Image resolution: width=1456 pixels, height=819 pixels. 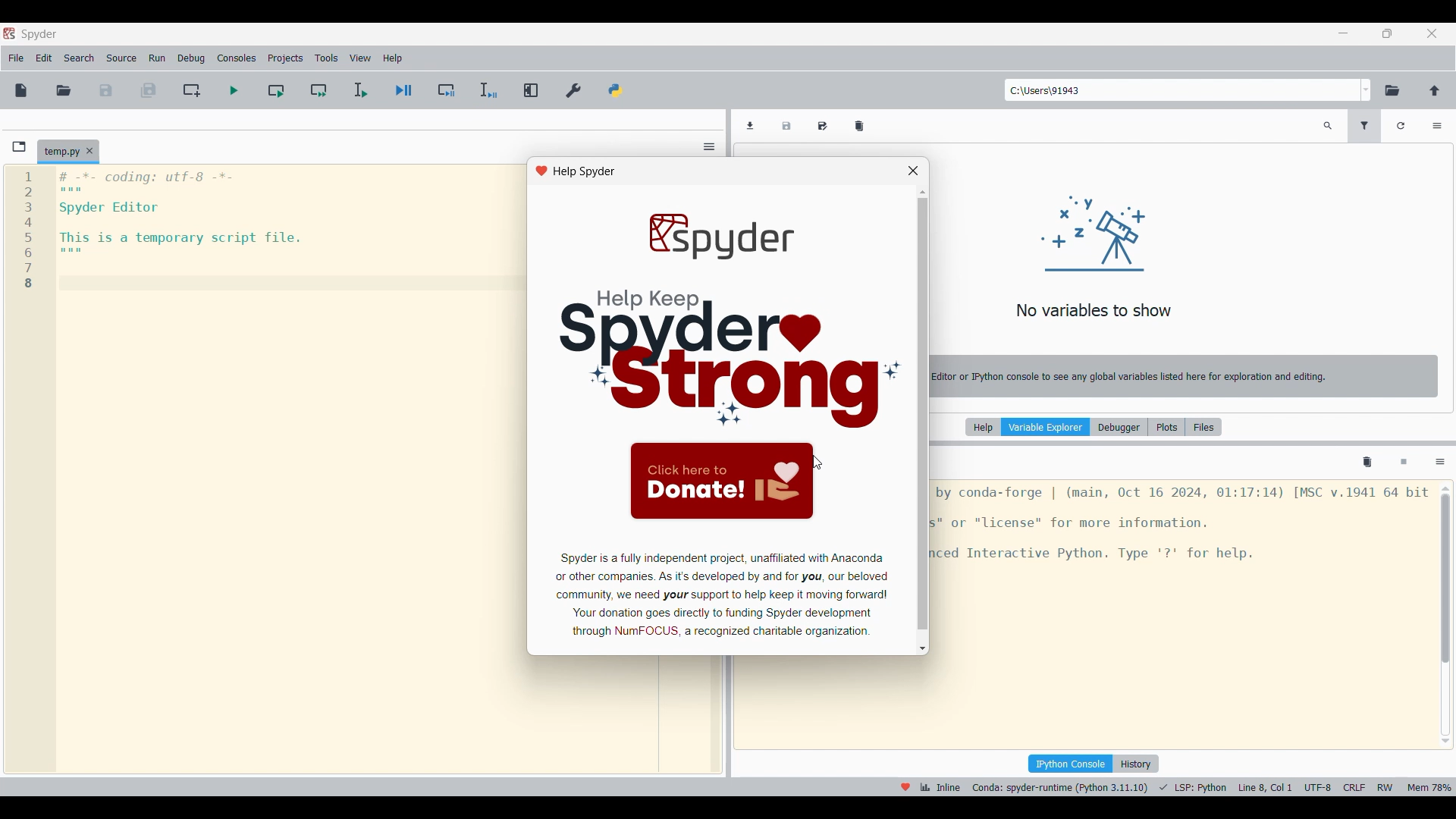 What do you see at coordinates (1328, 126) in the screenshot?
I see `Search variable names and types ` at bounding box center [1328, 126].